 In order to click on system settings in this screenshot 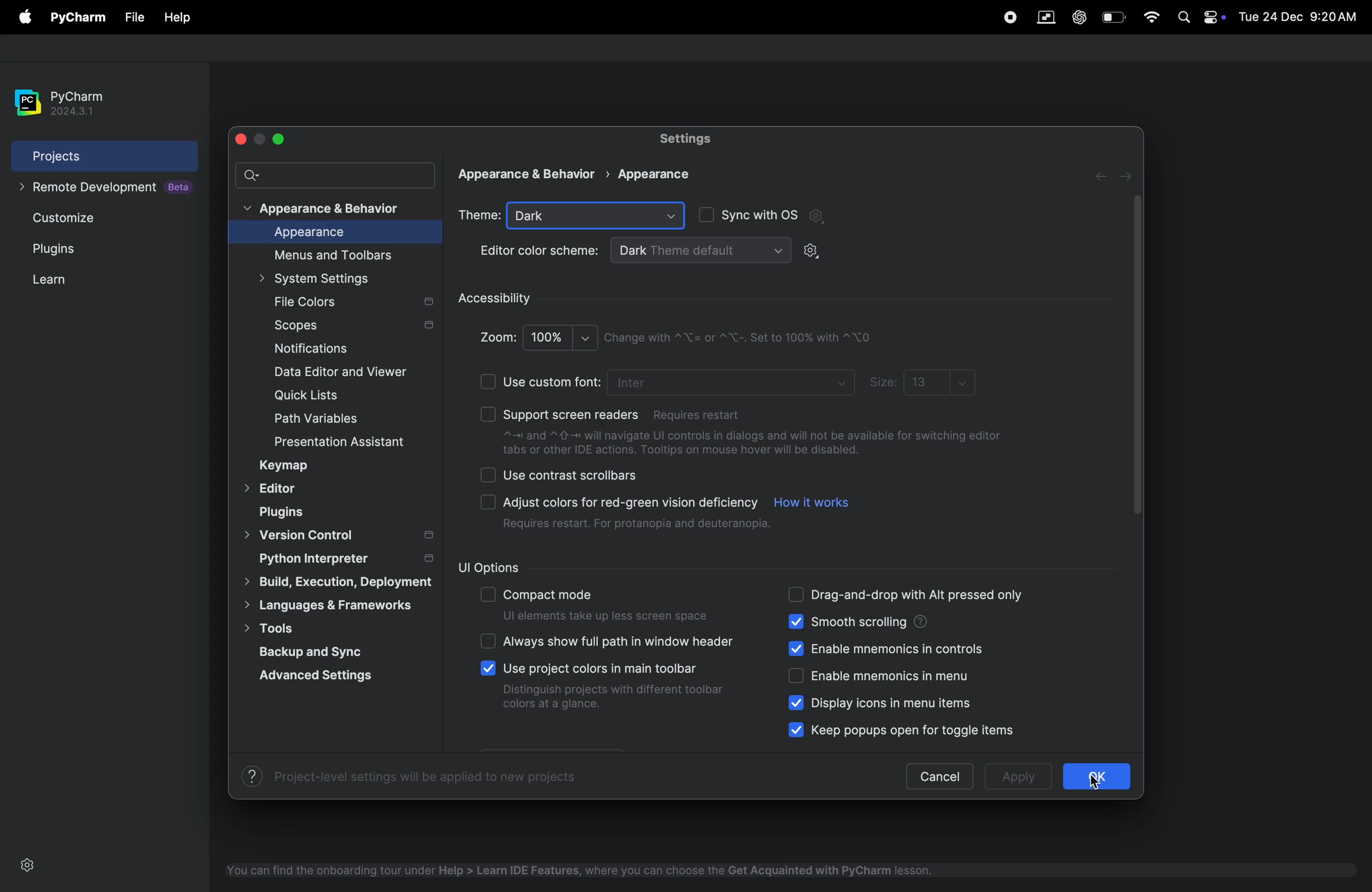, I will do `click(325, 278)`.